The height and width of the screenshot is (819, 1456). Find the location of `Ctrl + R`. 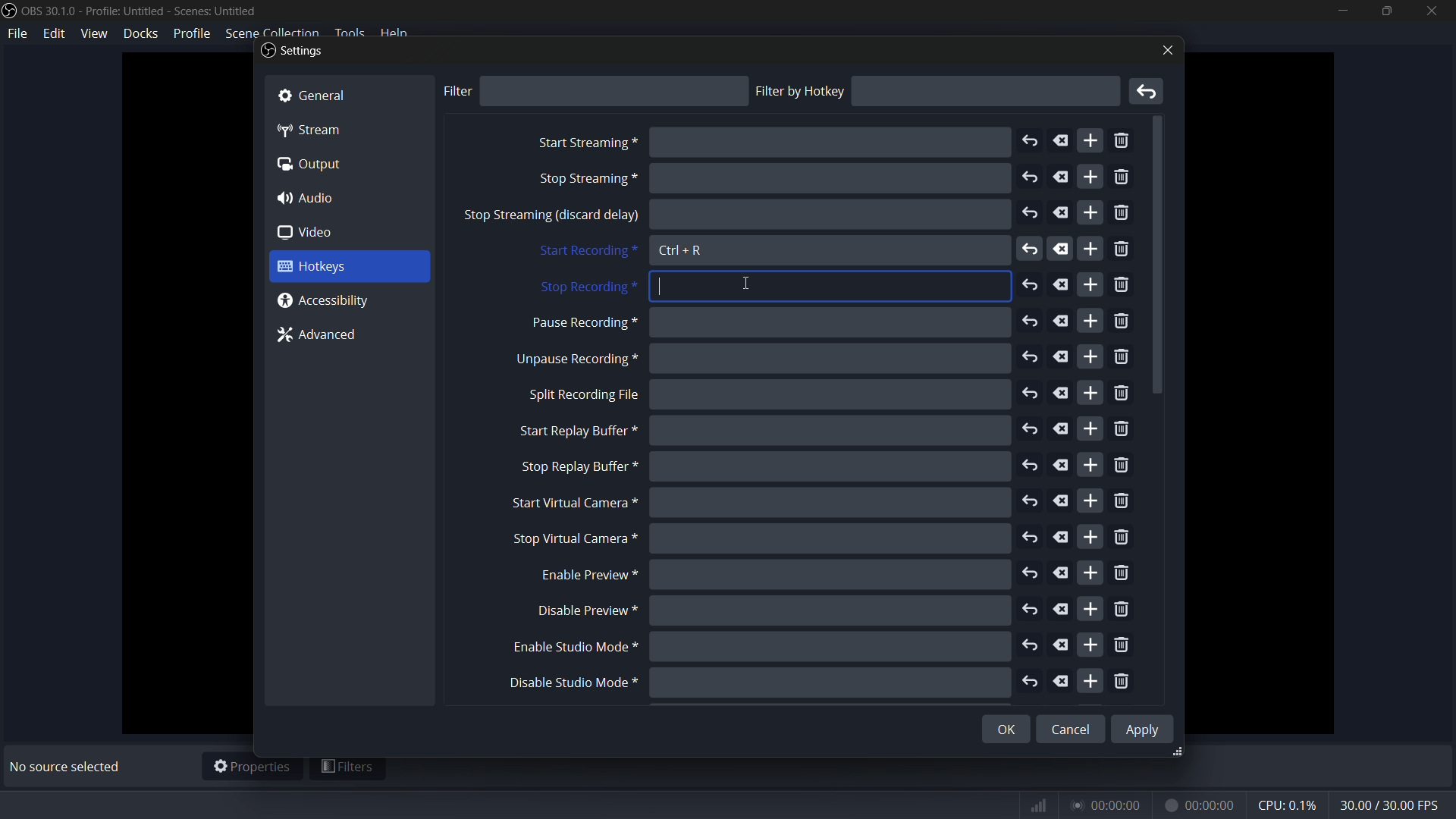

Ctrl + R is located at coordinates (682, 252).